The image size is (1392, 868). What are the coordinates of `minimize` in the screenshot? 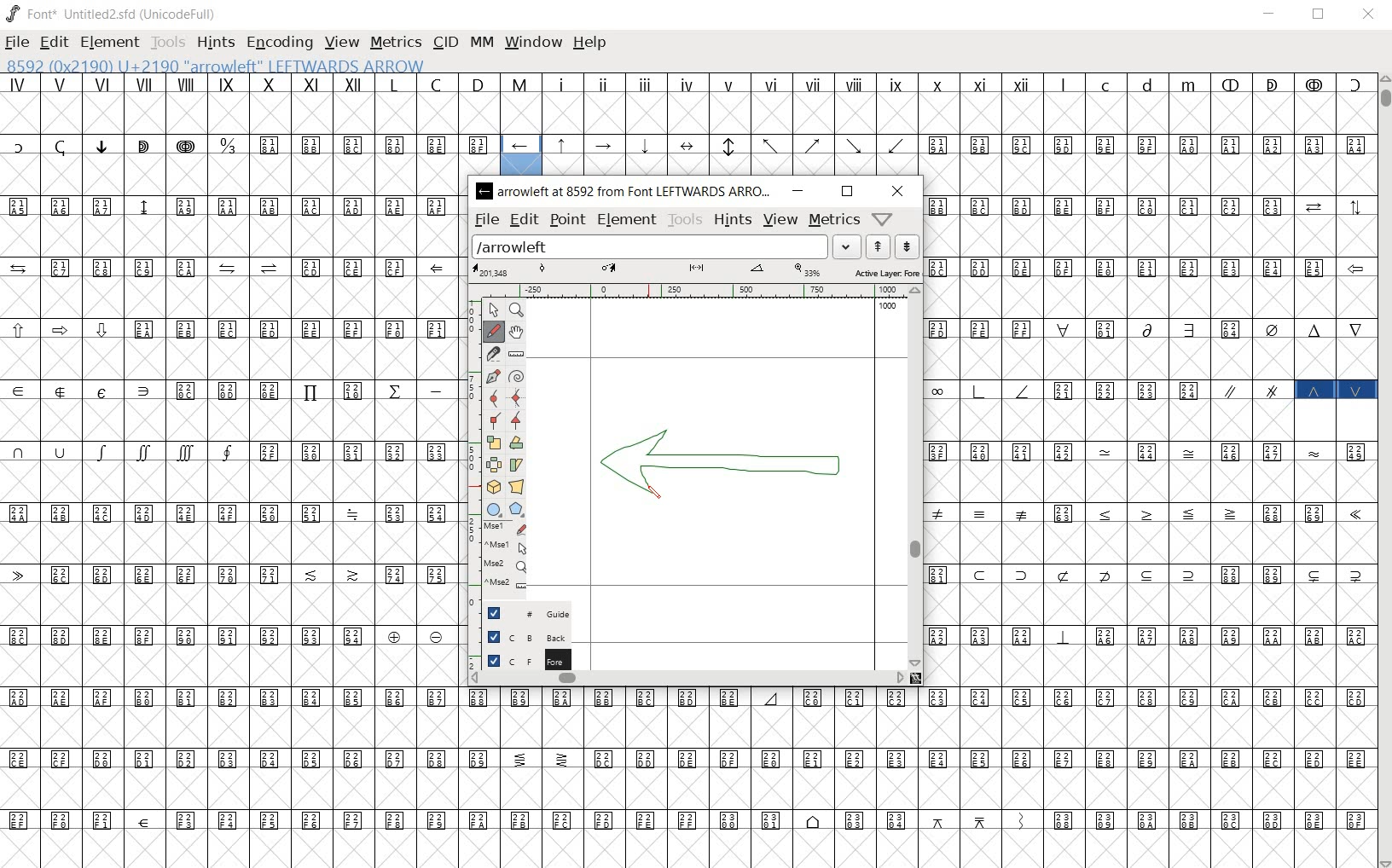 It's located at (800, 191).